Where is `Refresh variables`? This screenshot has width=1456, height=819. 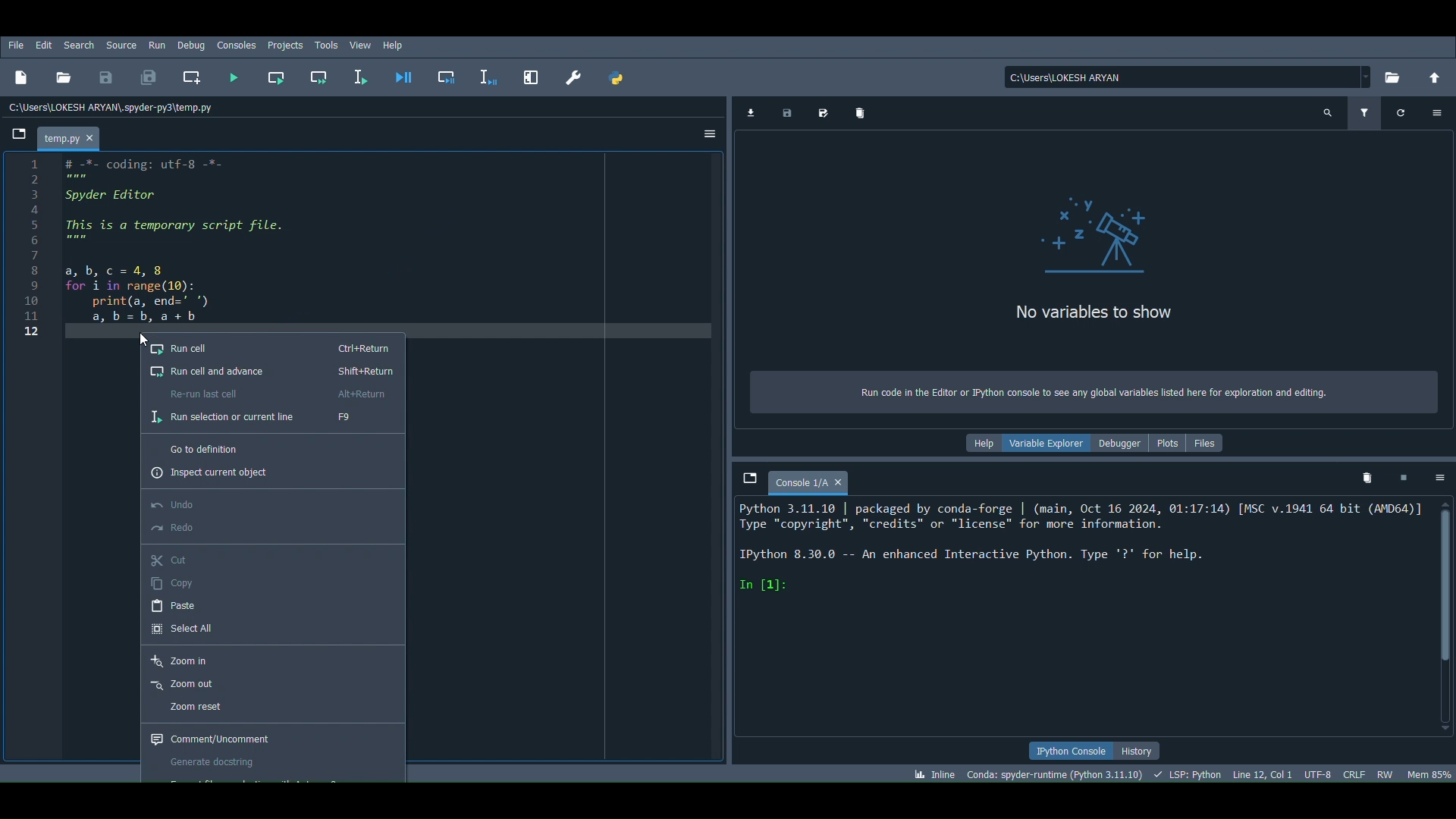
Refresh variables is located at coordinates (1401, 111).